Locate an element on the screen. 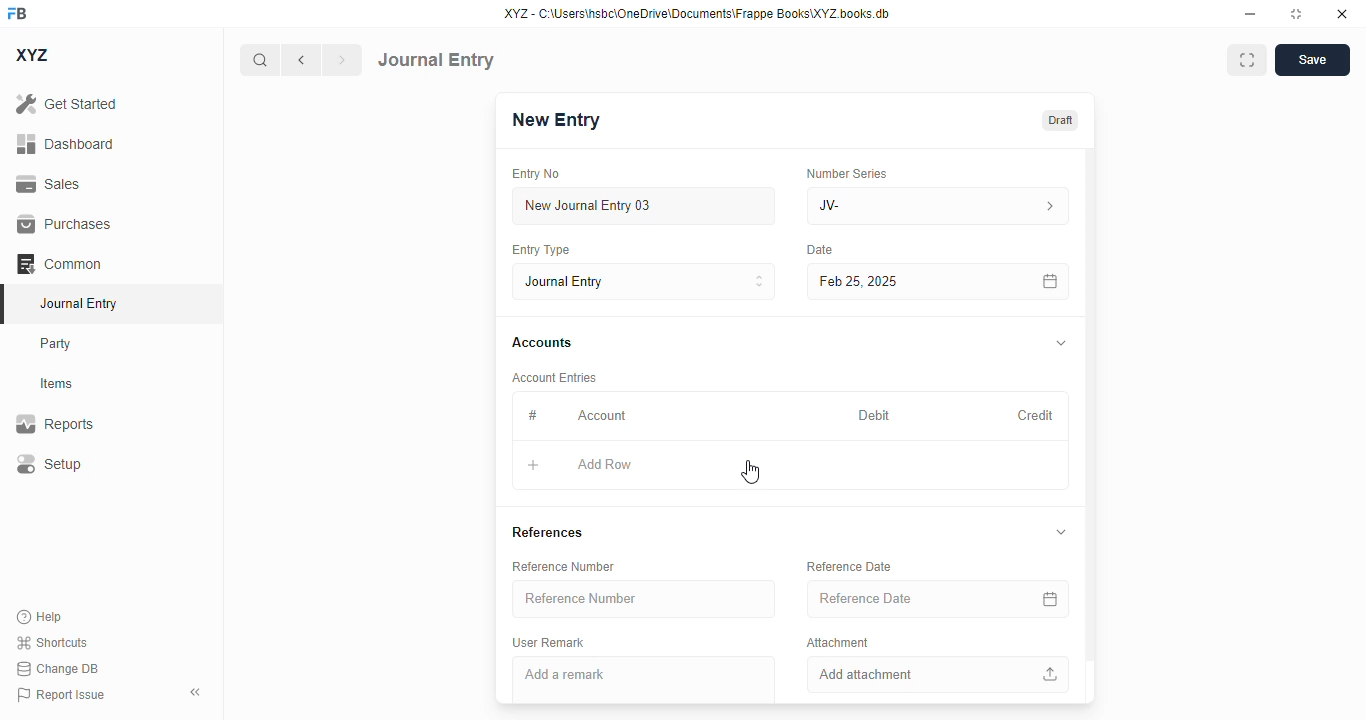 The width and height of the screenshot is (1366, 720). add is located at coordinates (533, 465).